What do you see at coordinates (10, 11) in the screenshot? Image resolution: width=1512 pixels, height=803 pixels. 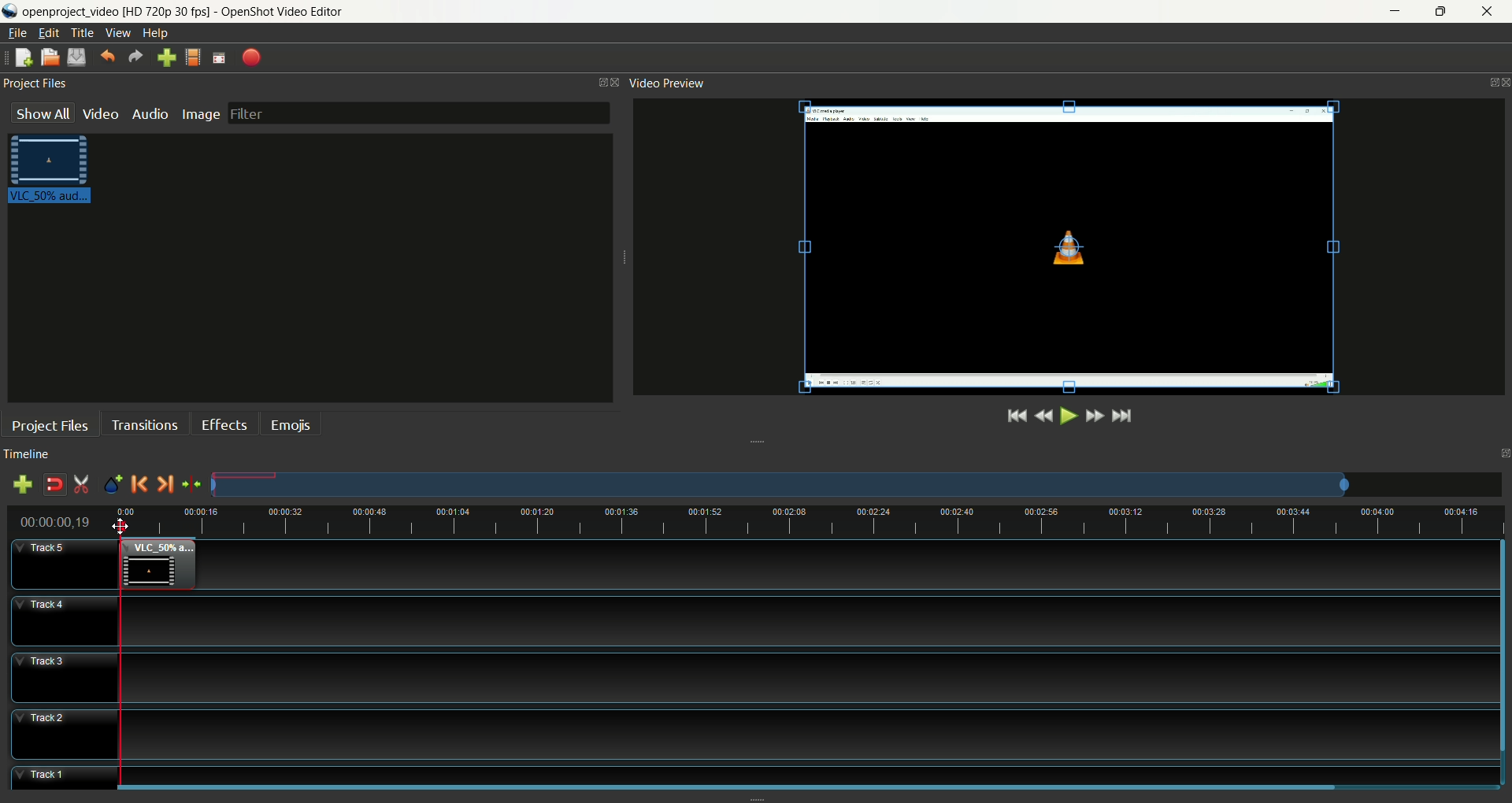 I see `logo` at bounding box center [10, 11].